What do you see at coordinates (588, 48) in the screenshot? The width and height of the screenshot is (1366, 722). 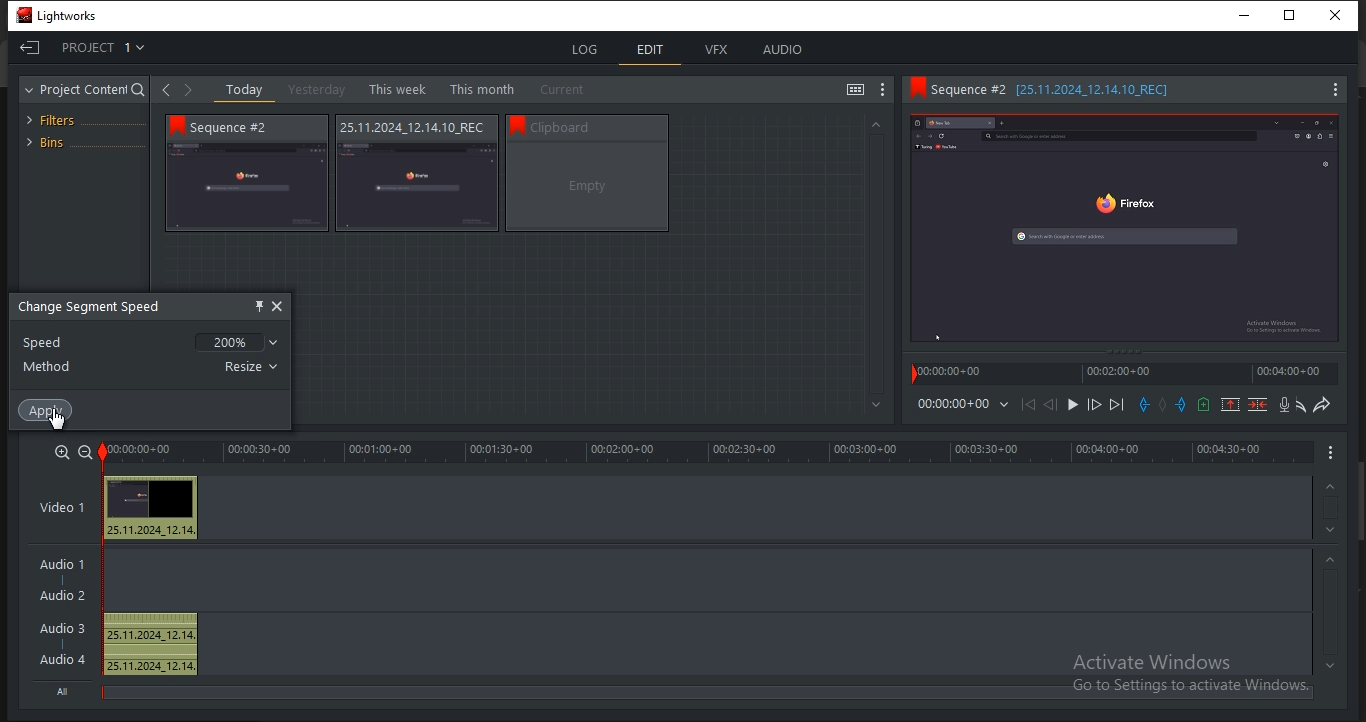 I see `log` at bounding box center [588, 48].